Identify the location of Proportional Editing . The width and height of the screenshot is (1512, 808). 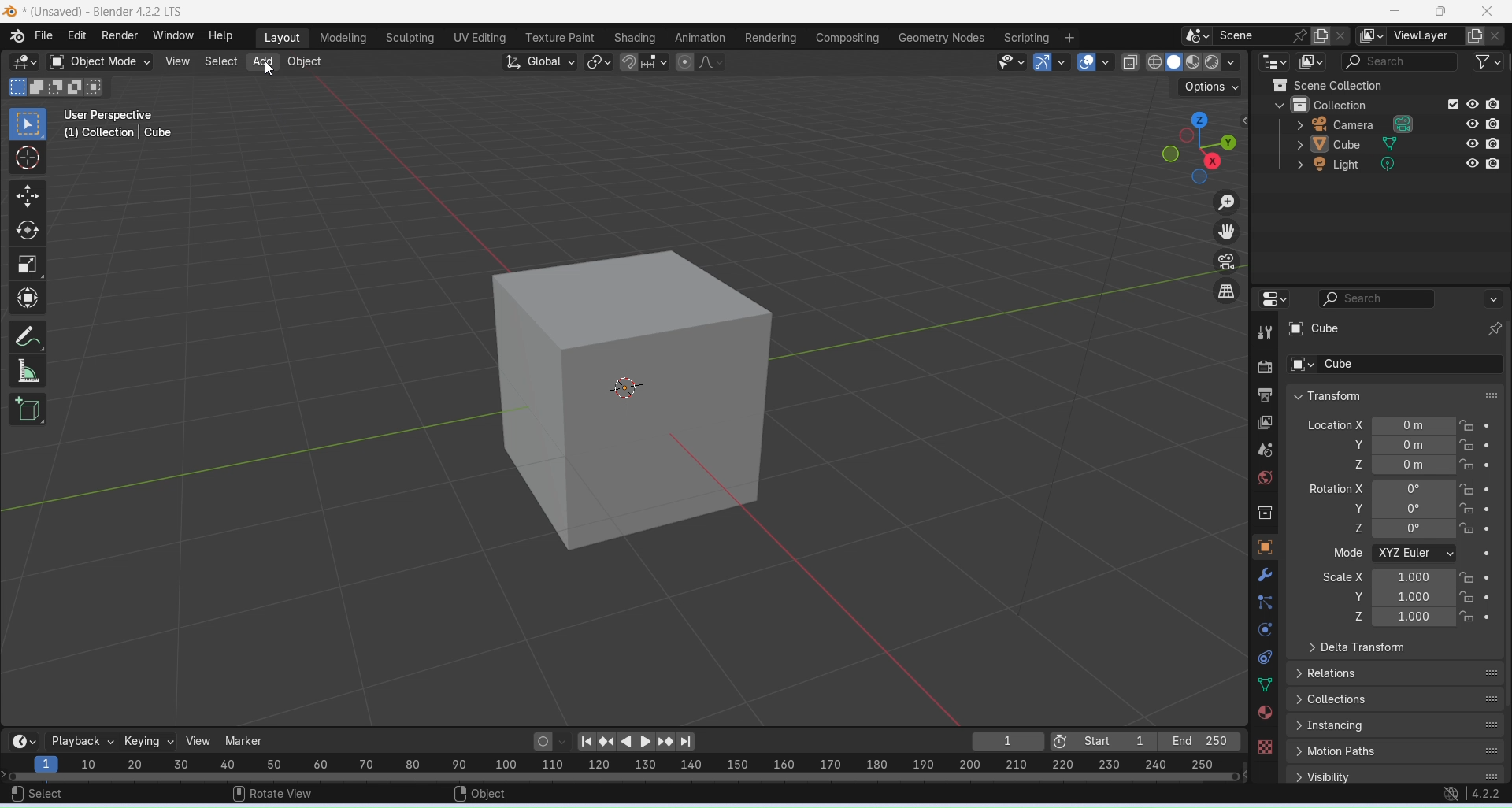
(696, 61).